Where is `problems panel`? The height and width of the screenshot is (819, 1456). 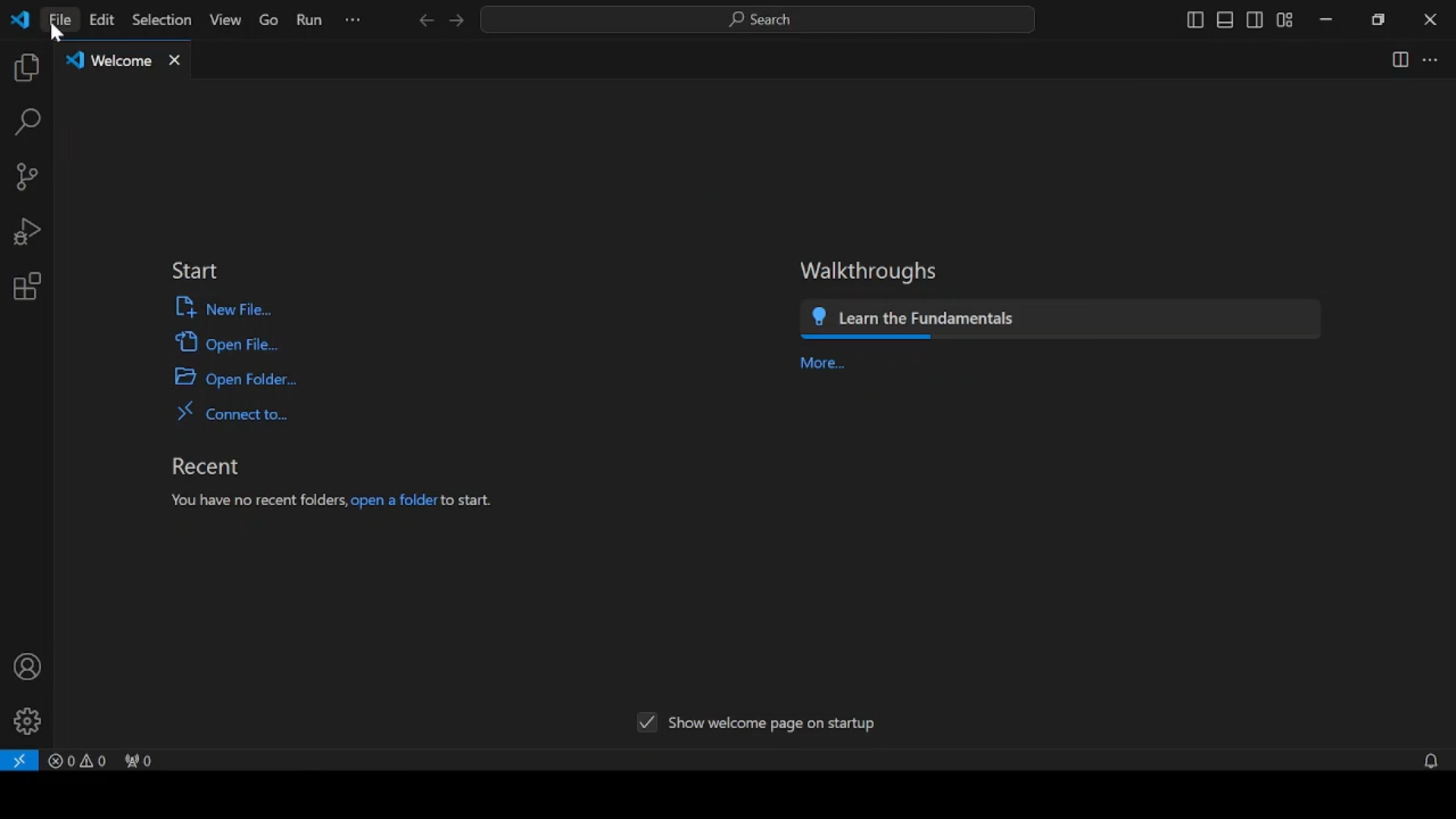 problems panel is located at coordinates (77, 760).